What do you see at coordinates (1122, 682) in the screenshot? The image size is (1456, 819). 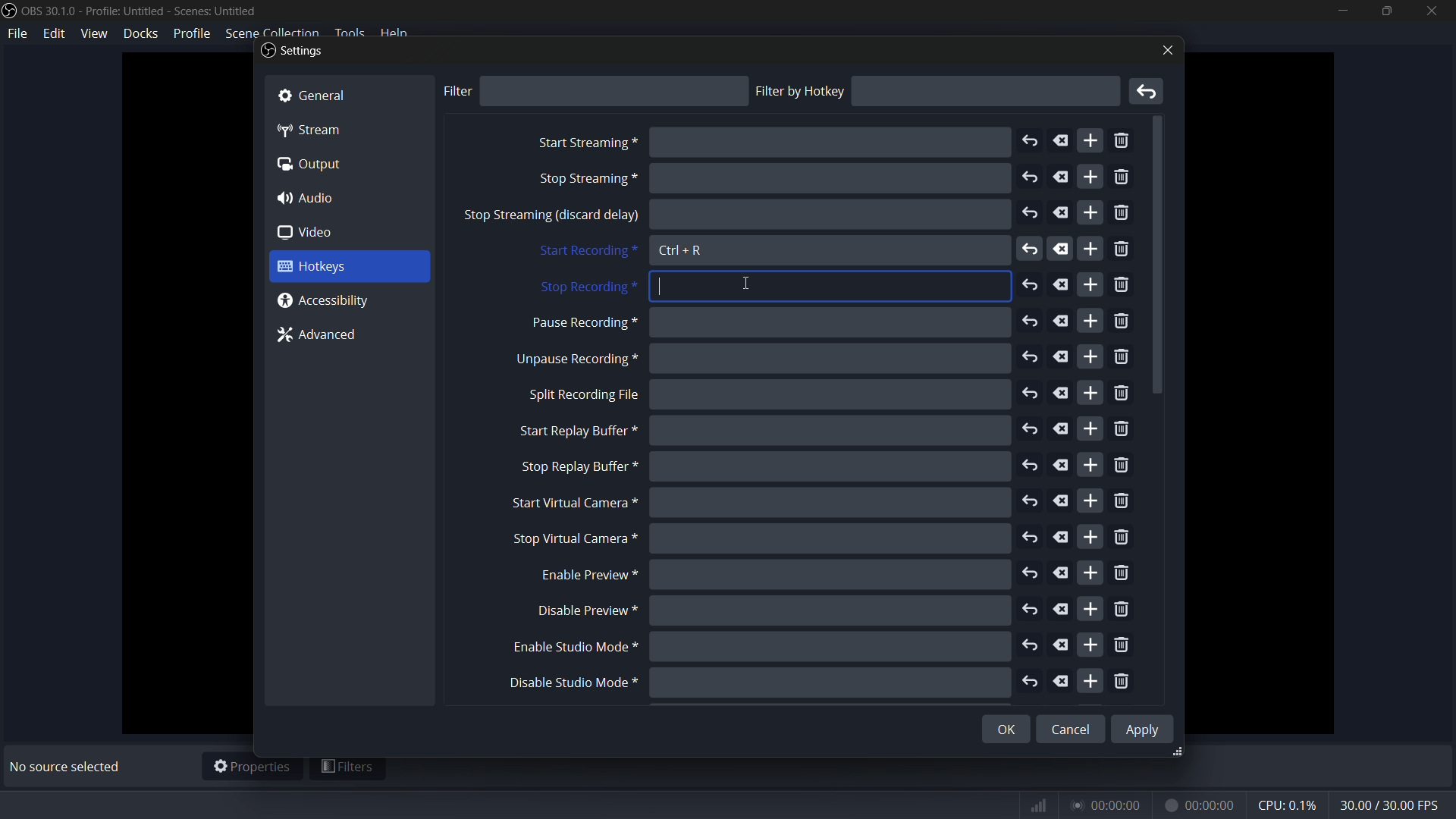 I see `remove` at bounding box center [1122, 682].